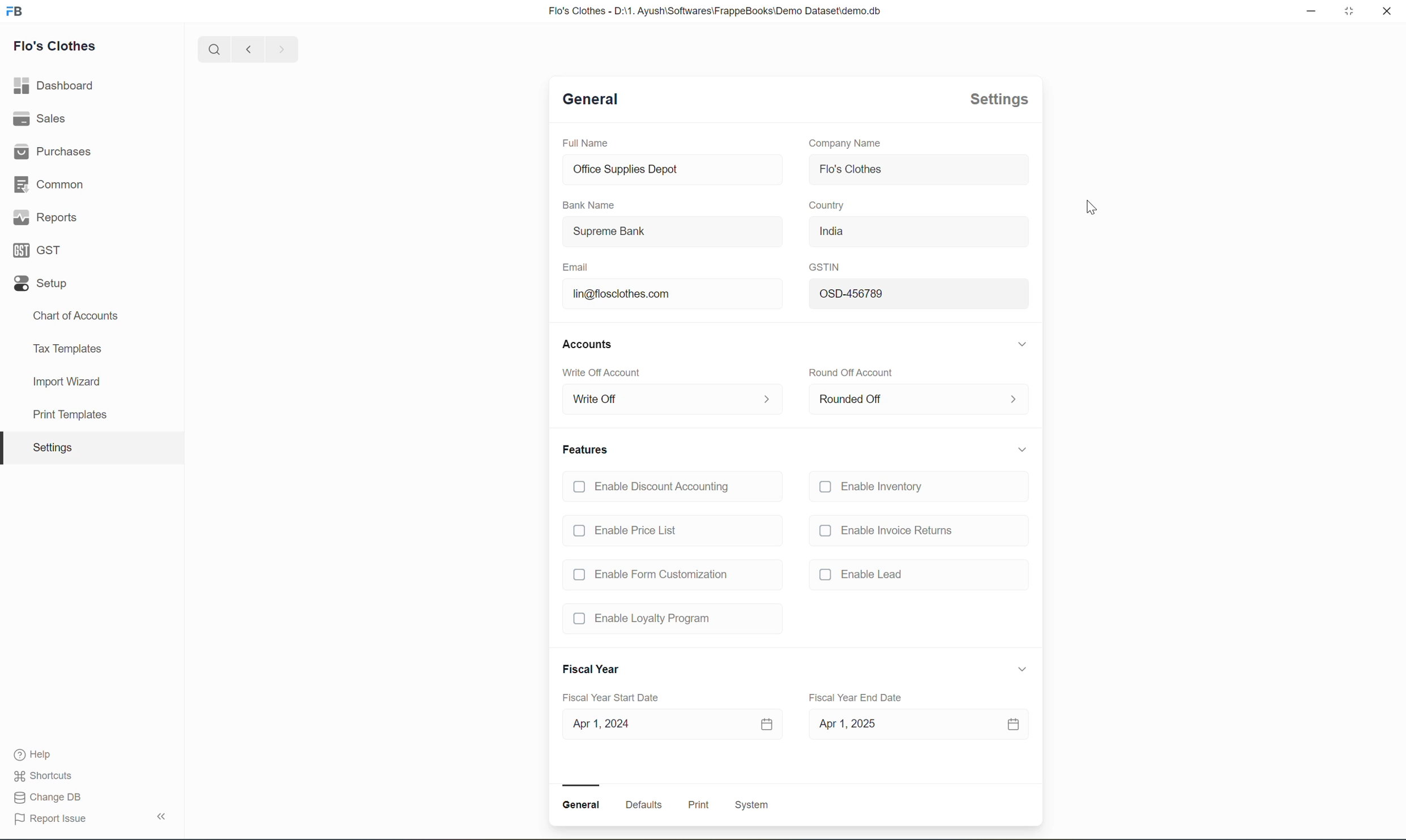 This screenshot has height=840, width=1406. I want to click on Email, so click(576, 267).